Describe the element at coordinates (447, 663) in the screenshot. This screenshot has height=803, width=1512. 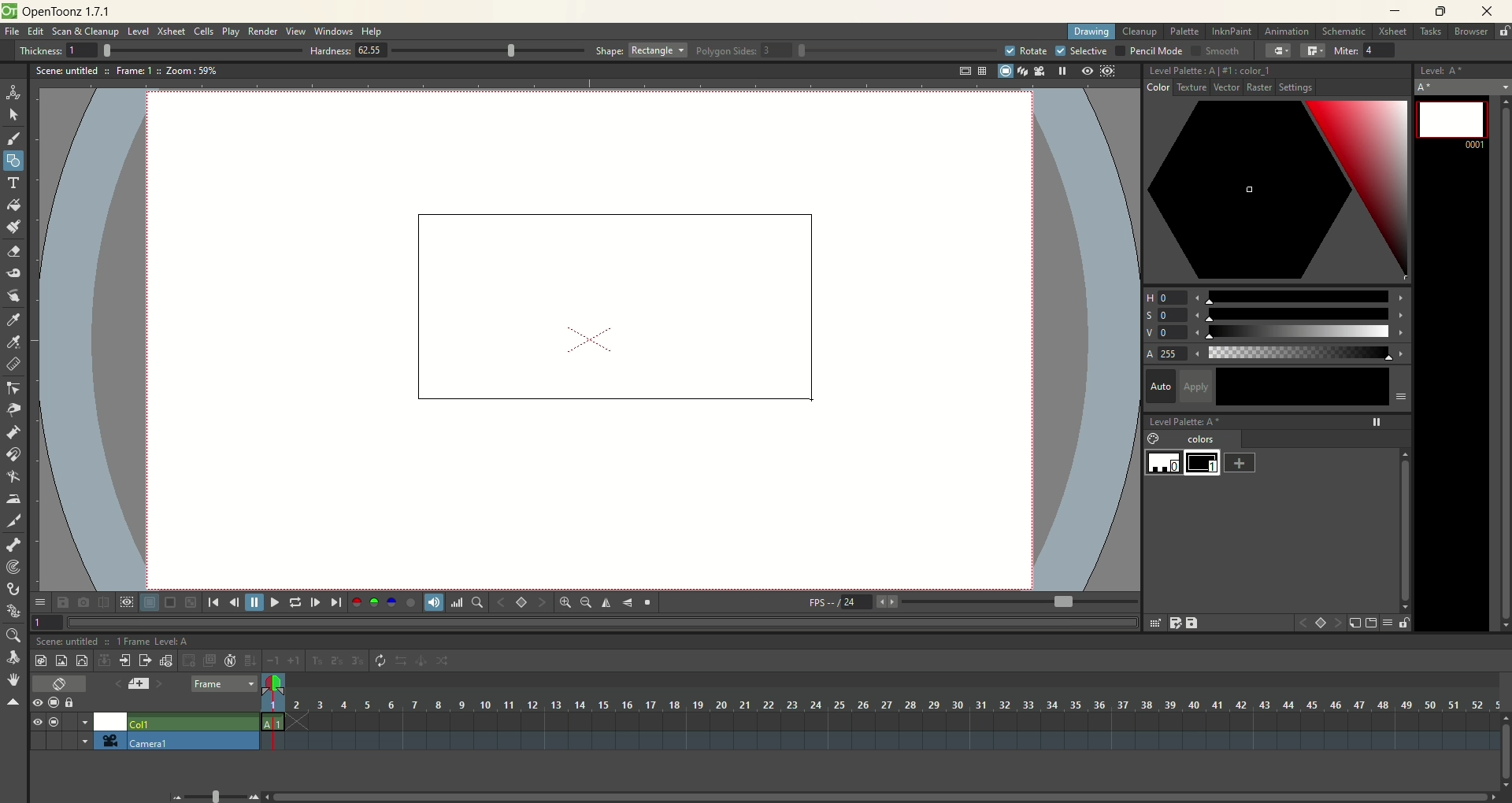
I see `random` at that location.